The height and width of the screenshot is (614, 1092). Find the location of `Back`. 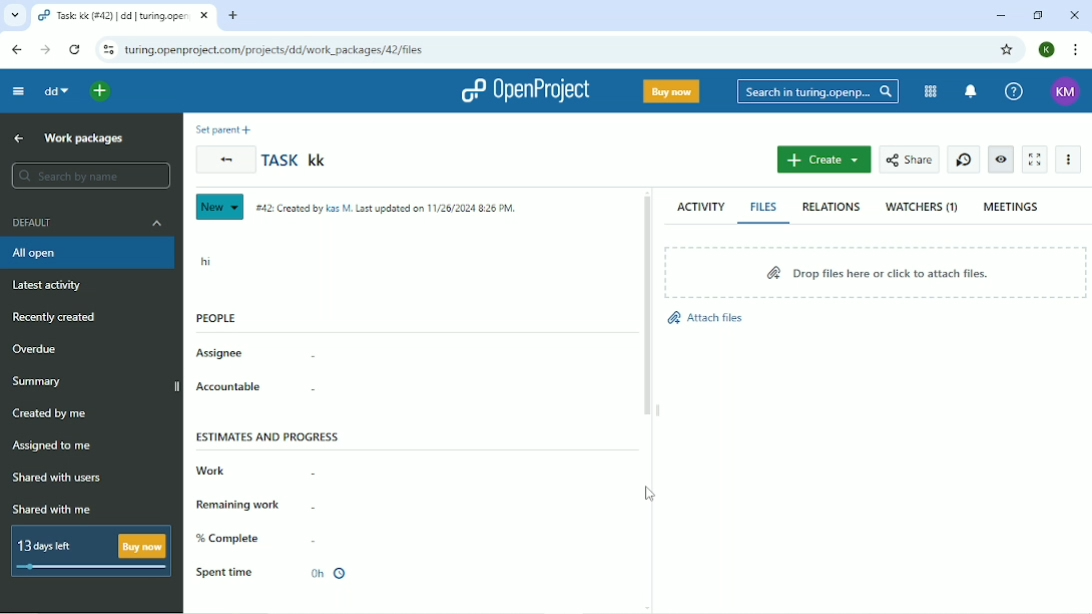

Back is located at coordinates (16, 50).